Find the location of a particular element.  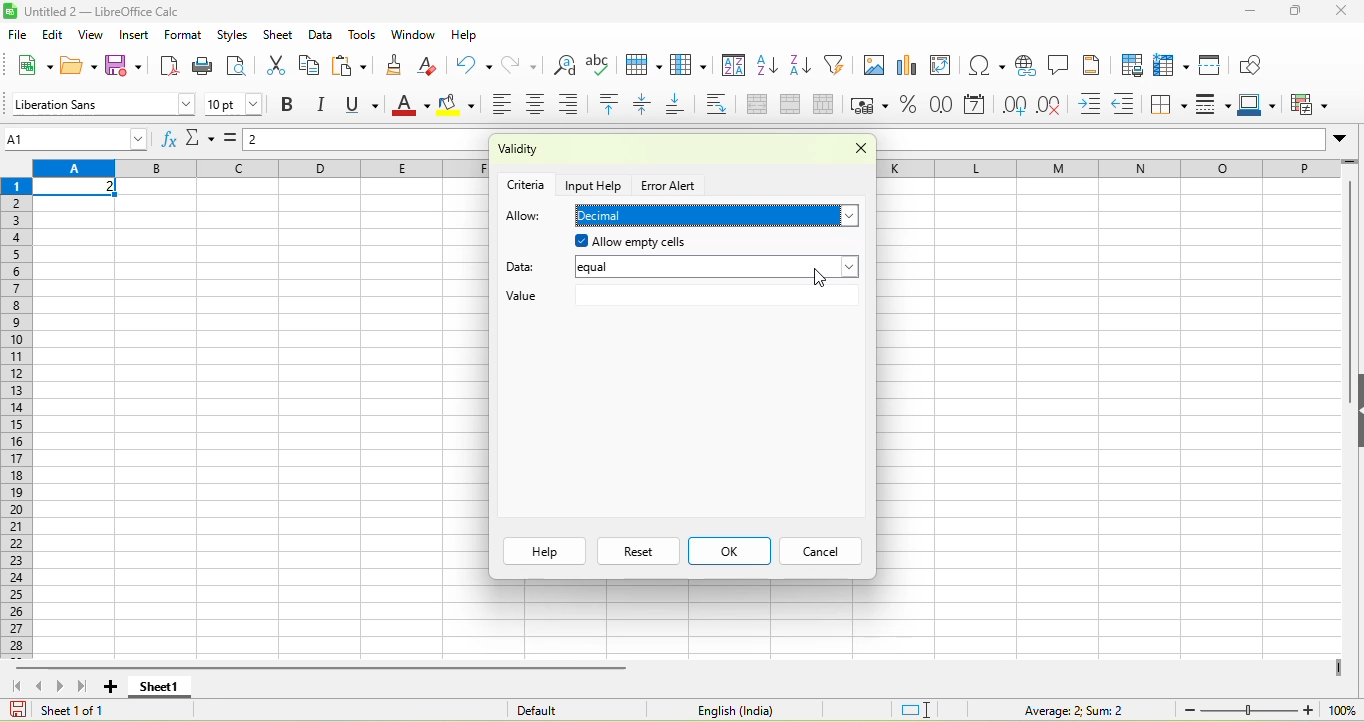

insert is located at coordinates (135, 35).